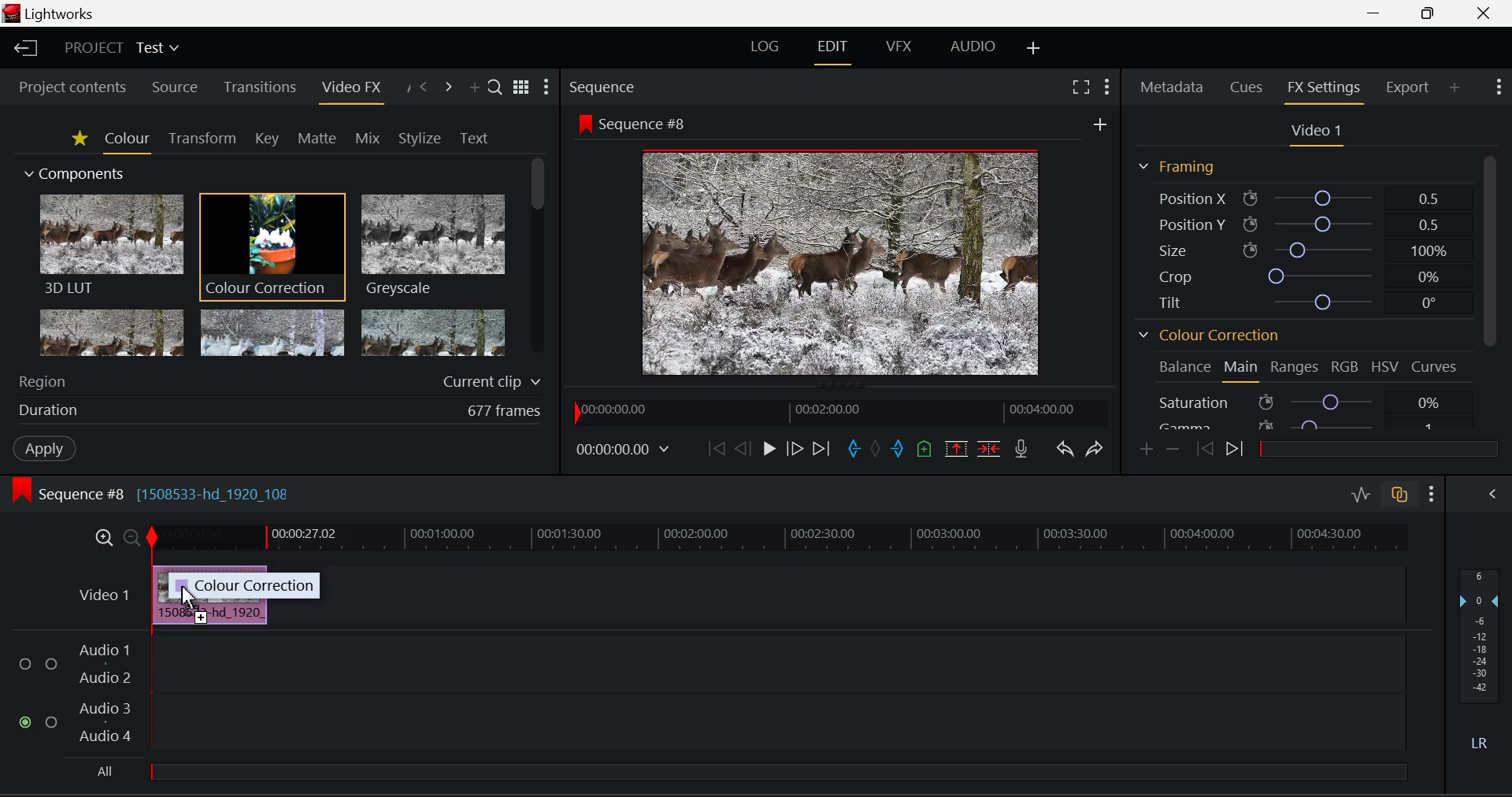 The height and width of the screenshot is (797, 1512). Describe the element at coordinates (898, 48) in the screenshot. I see `VFX` at that location.